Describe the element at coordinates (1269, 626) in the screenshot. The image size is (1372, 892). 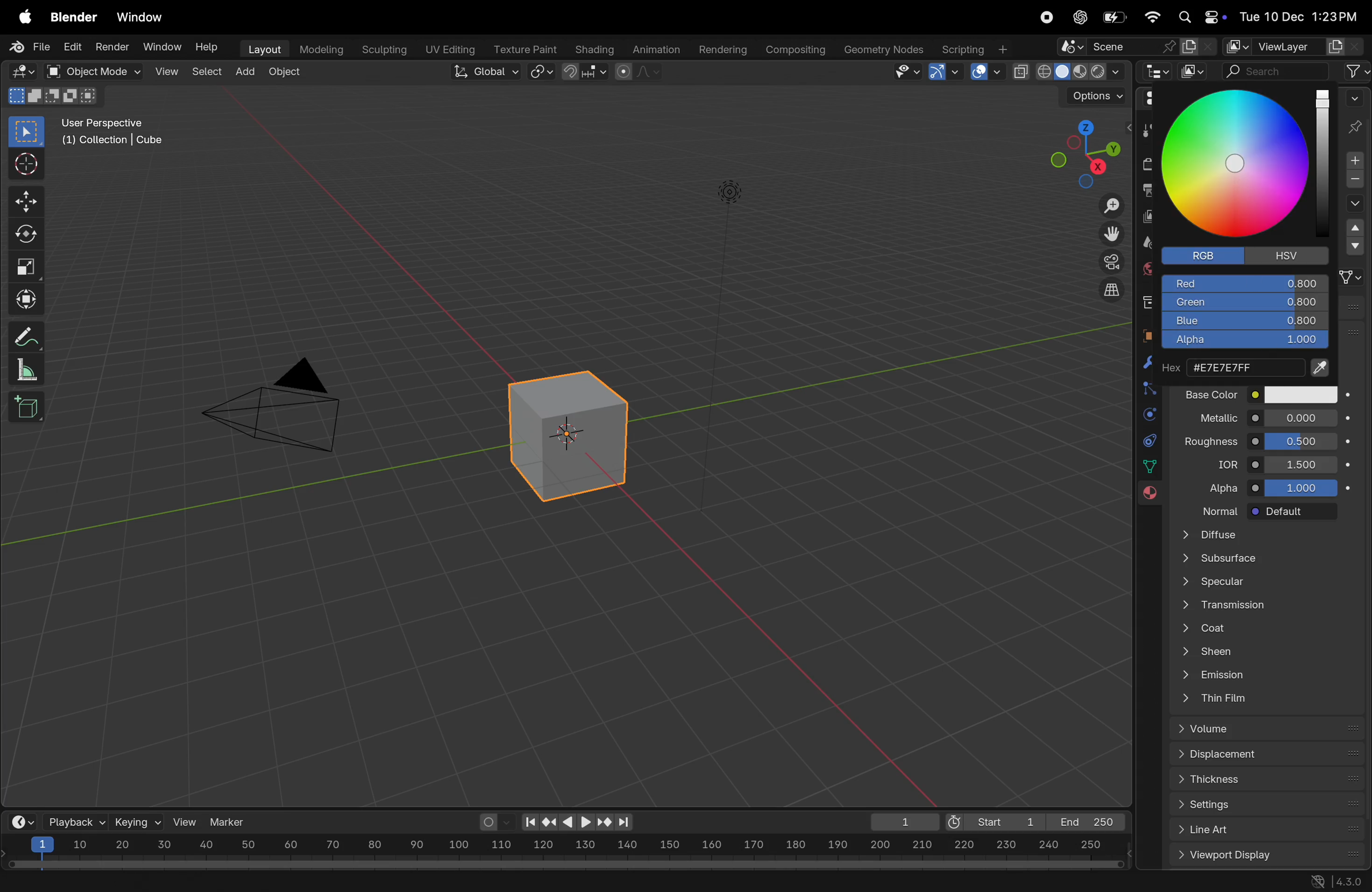
I see `coat` at that location.